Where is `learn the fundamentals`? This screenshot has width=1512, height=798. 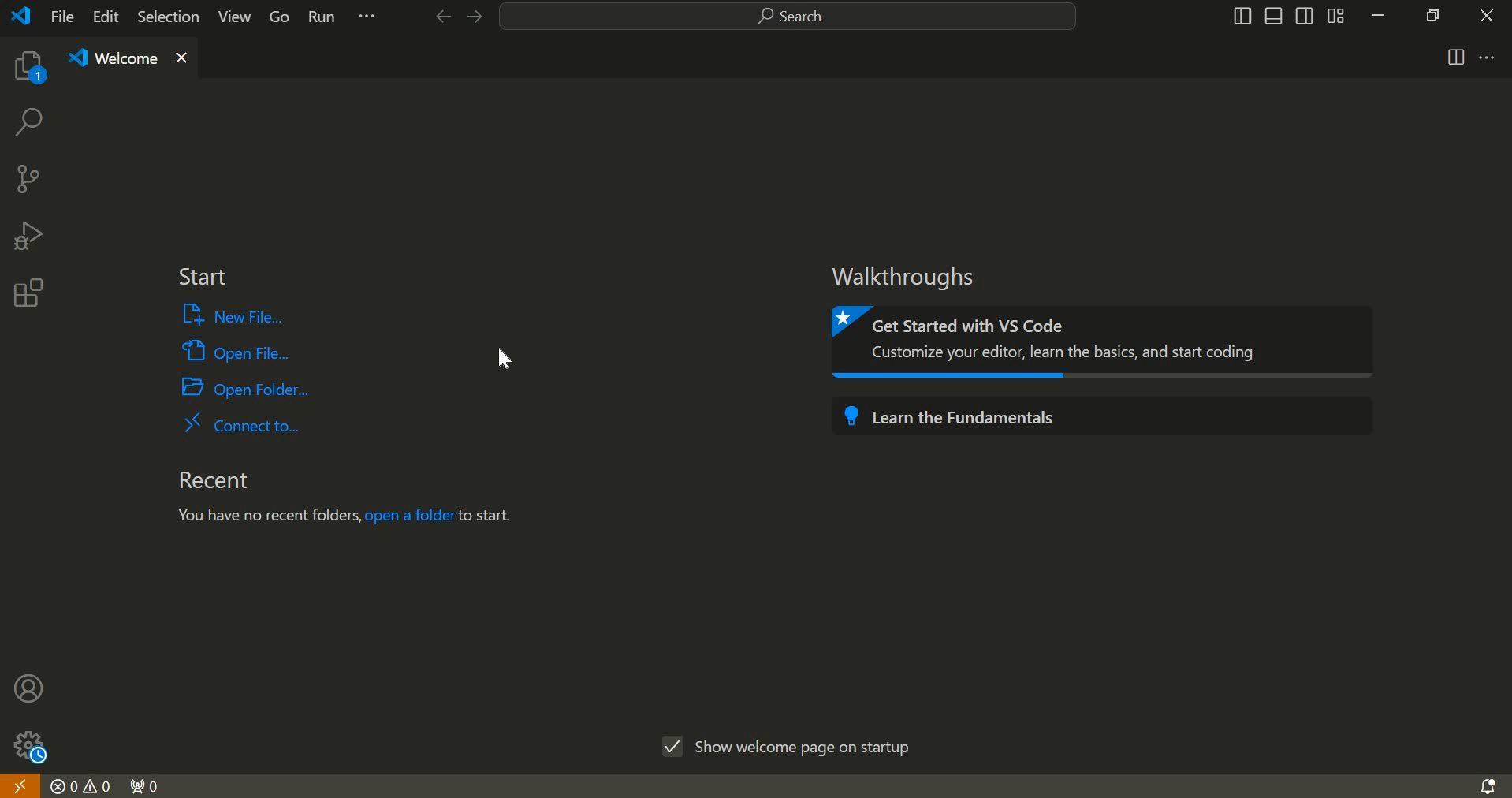 learn the fundamentals is located at coordinates (1100, 413).